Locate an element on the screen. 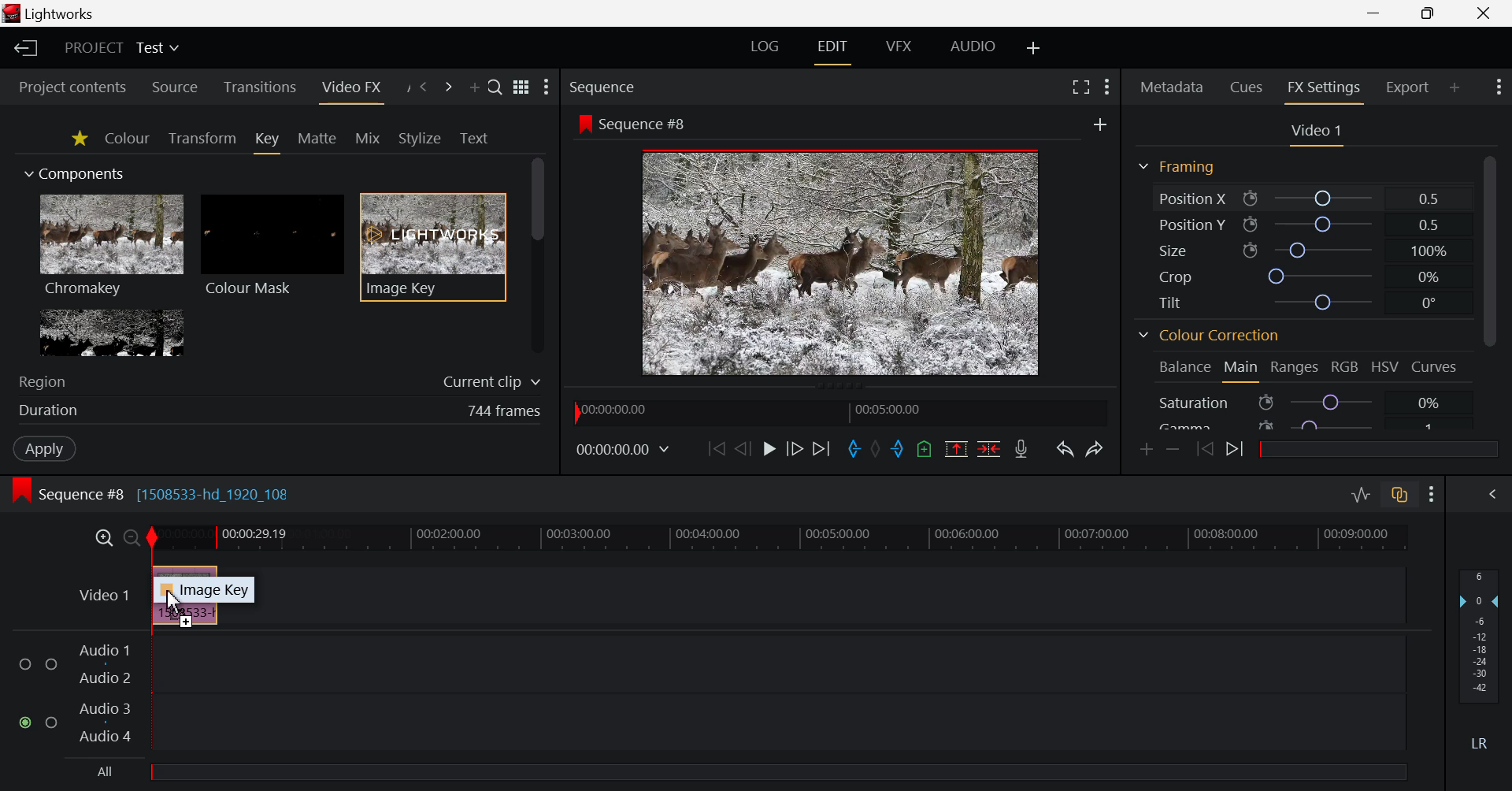 This screenshot has height=791, width=1512. Crop is located at coordinates (1173, 277).